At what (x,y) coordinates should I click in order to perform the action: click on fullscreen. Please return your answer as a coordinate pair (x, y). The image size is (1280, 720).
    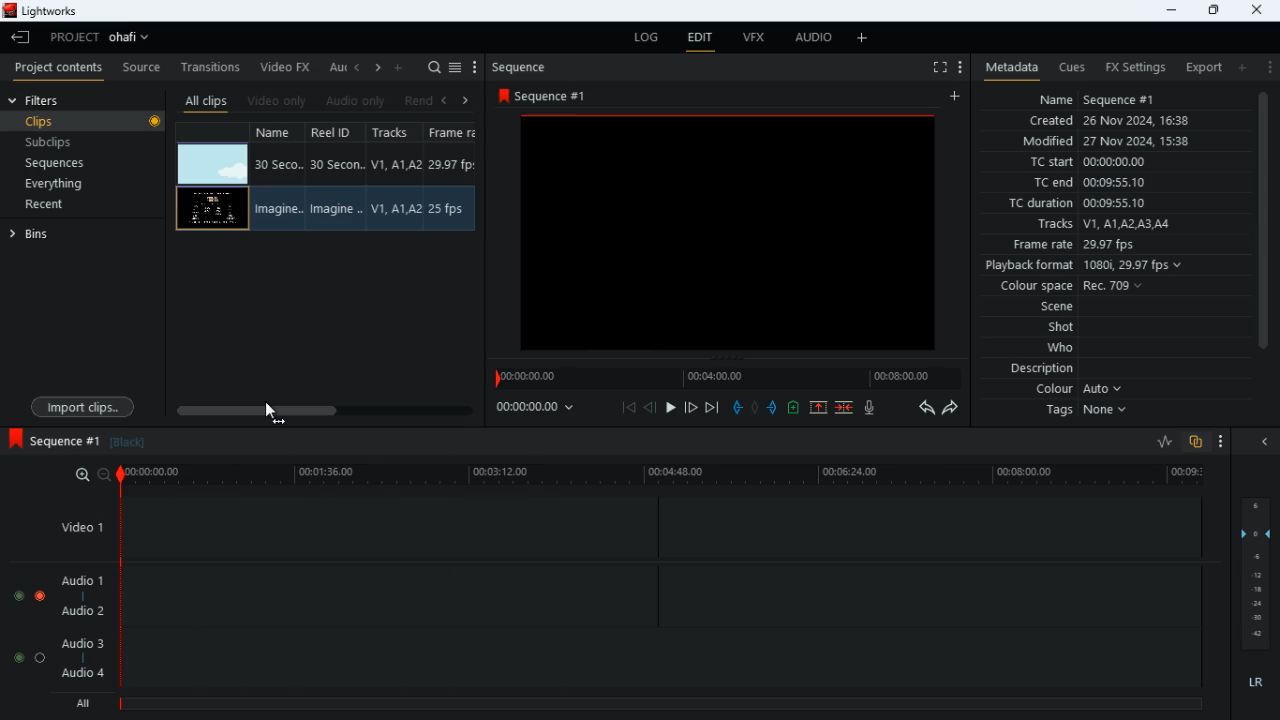
    Looking at the image, I should click on (937, 65).